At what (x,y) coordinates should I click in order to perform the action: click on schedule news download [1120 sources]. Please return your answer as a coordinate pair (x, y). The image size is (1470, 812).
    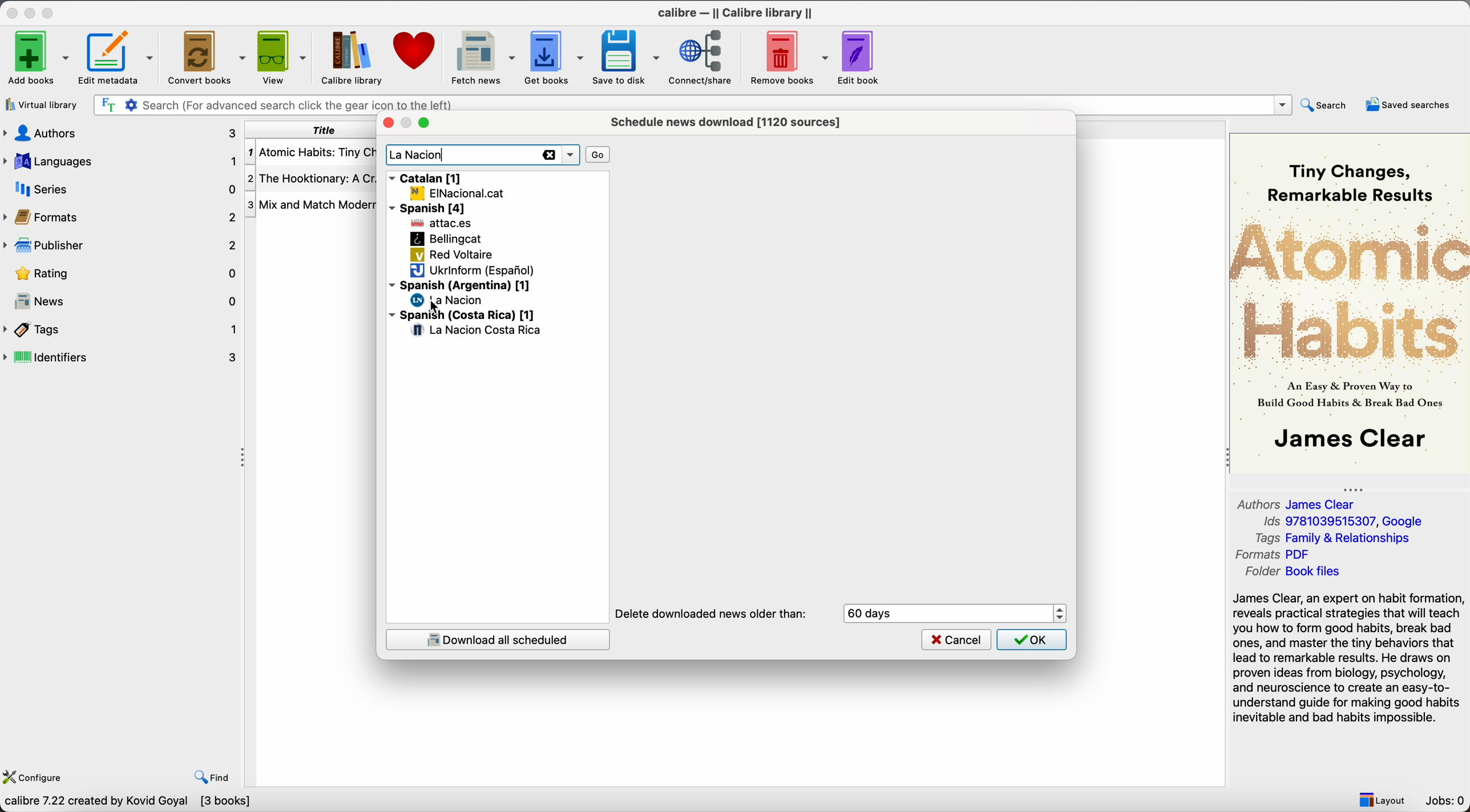
    Looking at the image, I should click on (729, 122).